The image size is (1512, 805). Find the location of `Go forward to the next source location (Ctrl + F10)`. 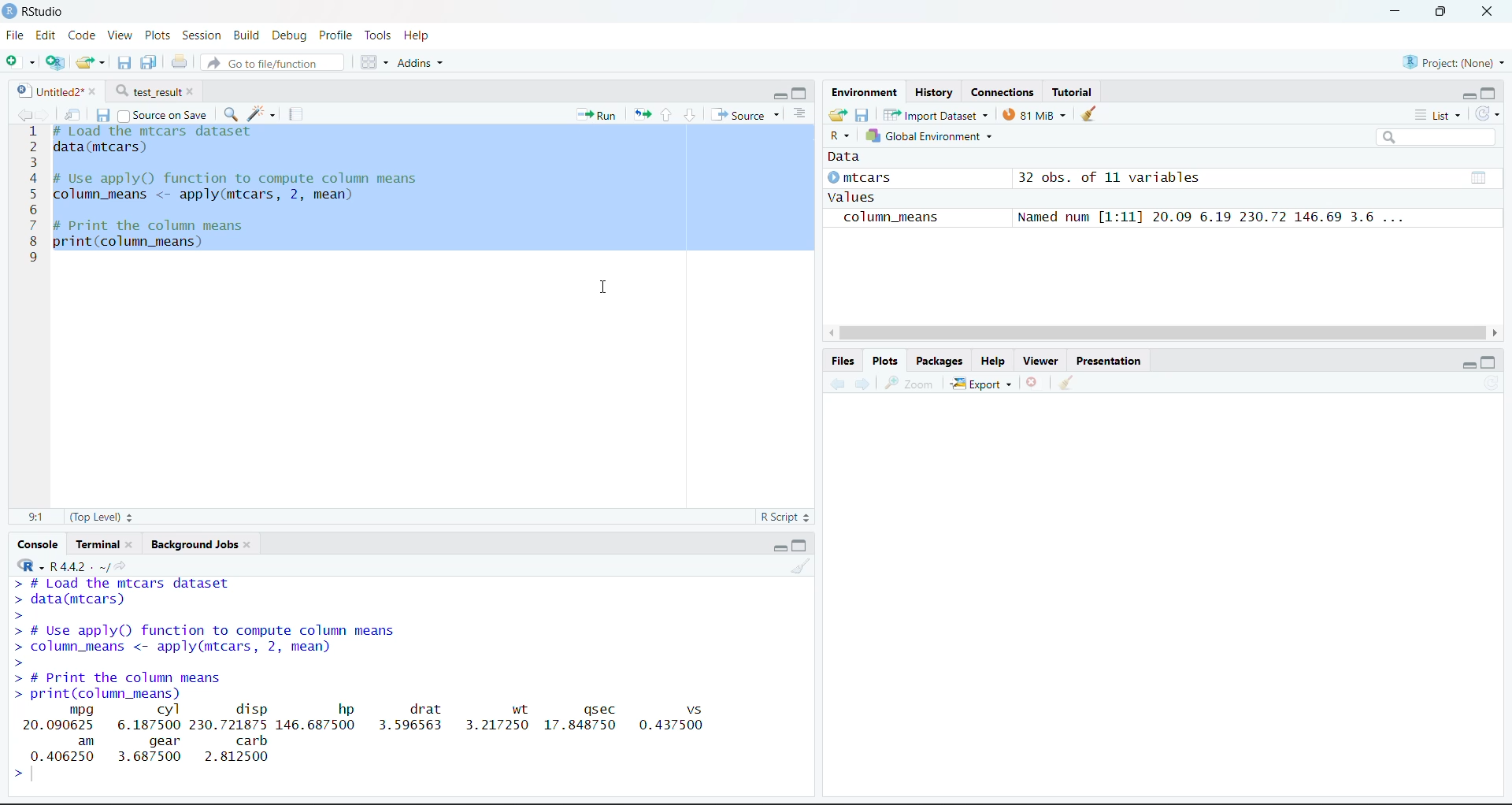

Go forward to the next source location (Ctrl + F10) is located at coordinates (865, 384).